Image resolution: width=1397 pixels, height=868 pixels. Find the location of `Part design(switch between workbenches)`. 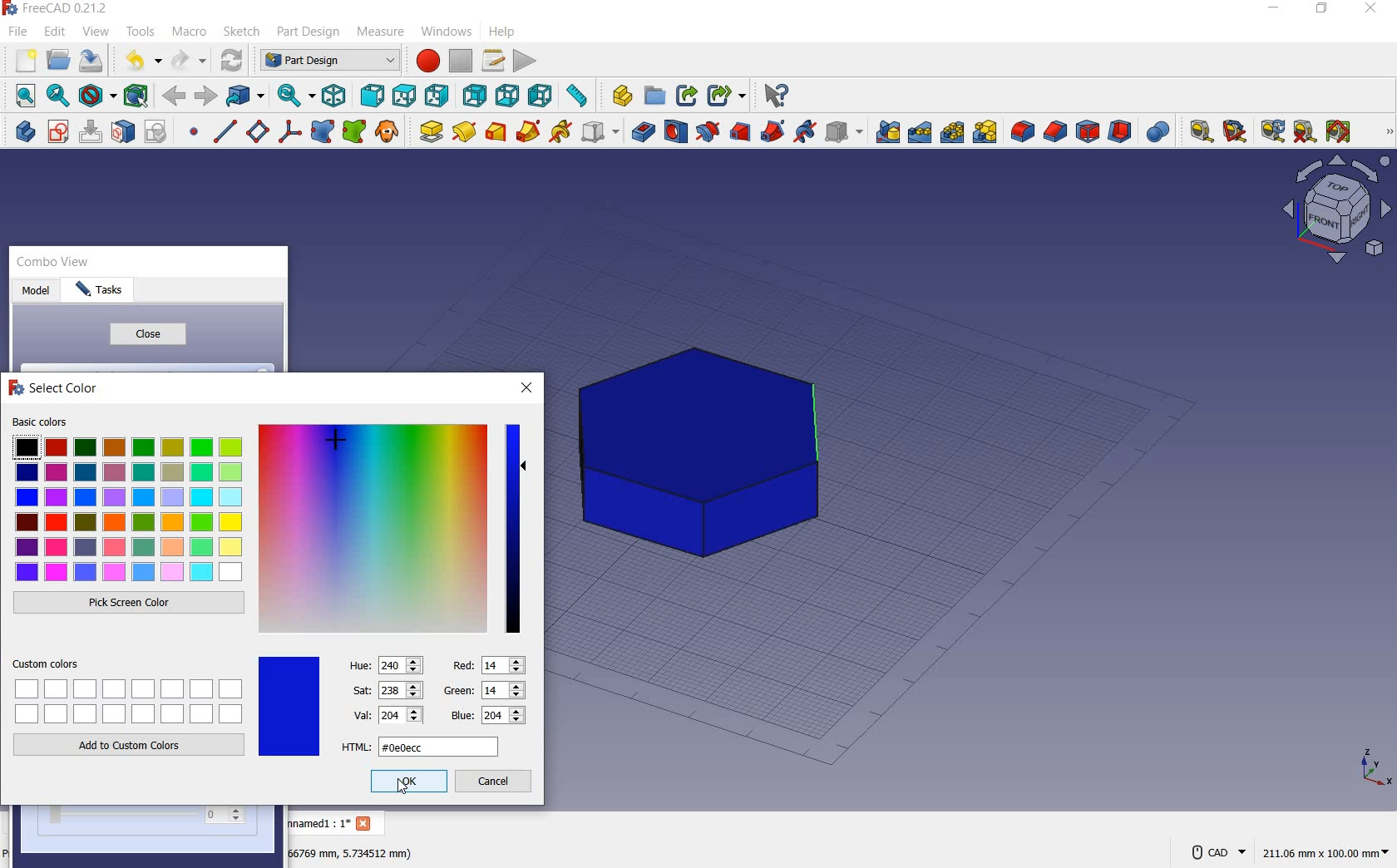

Part design(switch between workbenches) is located at coordinates (328, 61).